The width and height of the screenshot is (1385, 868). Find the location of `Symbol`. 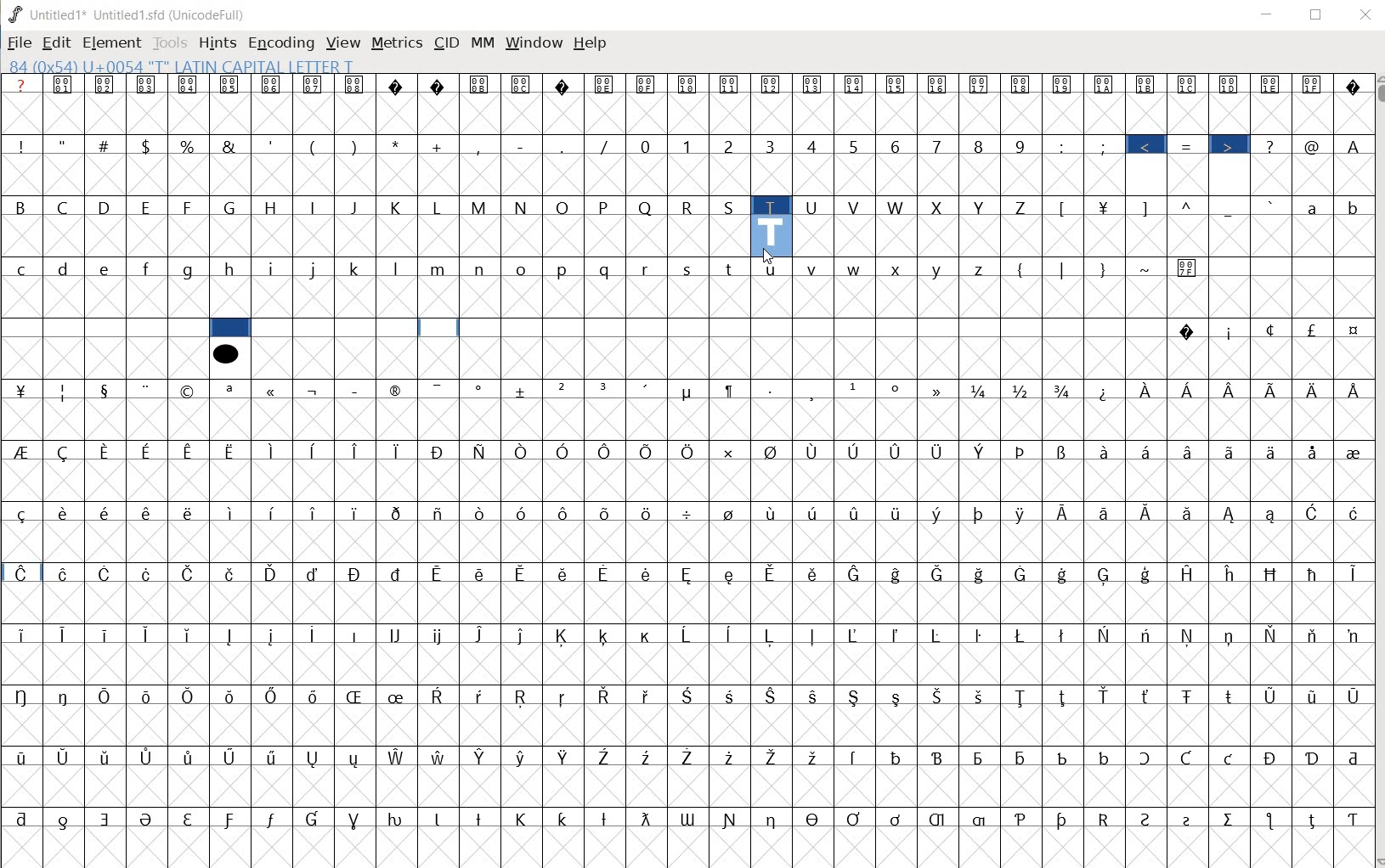

Symbol is located at coordinates (1274, 758).